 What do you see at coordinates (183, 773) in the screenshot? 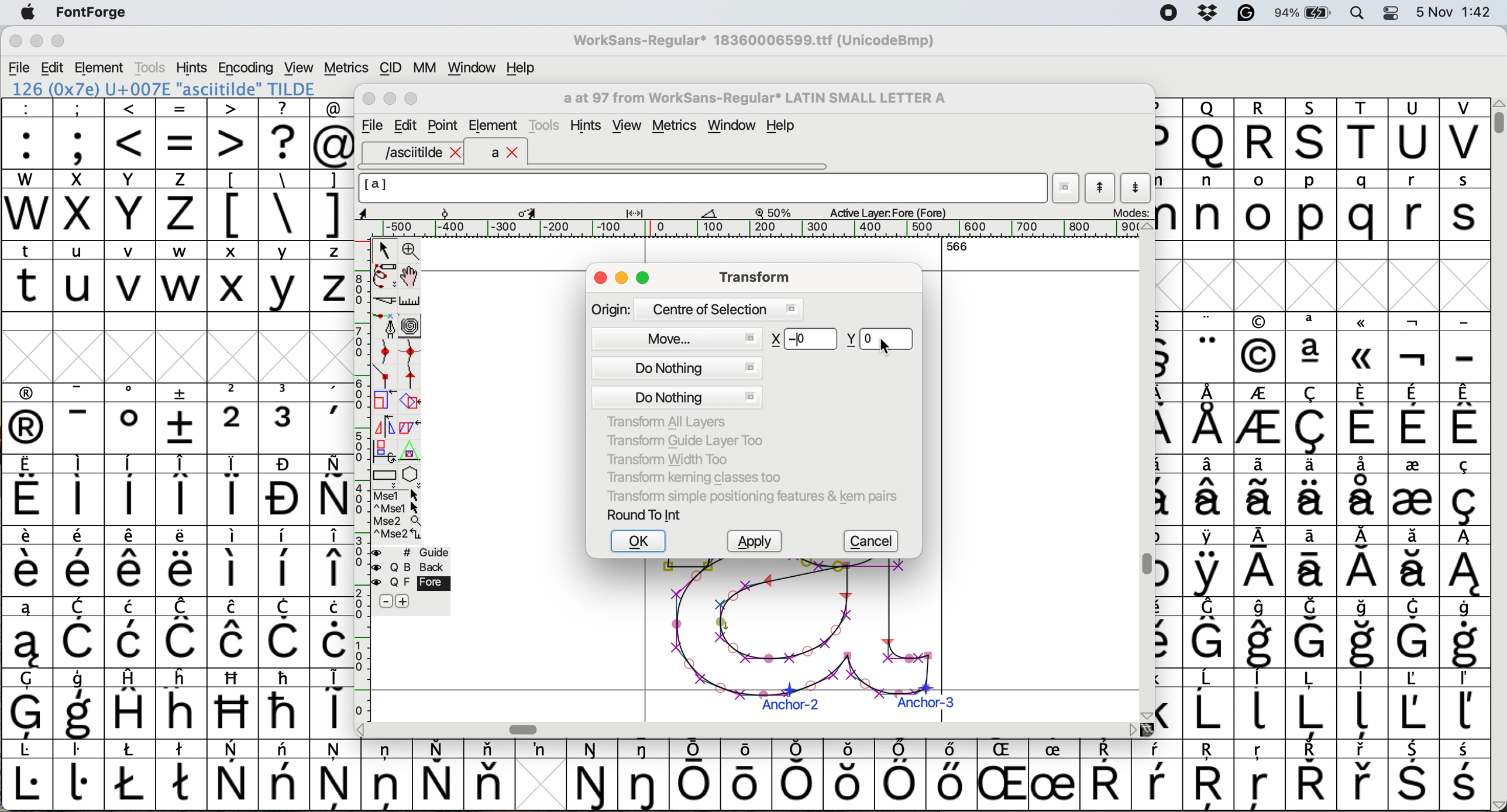
I see `symbol` at bounding box center [183, 773].